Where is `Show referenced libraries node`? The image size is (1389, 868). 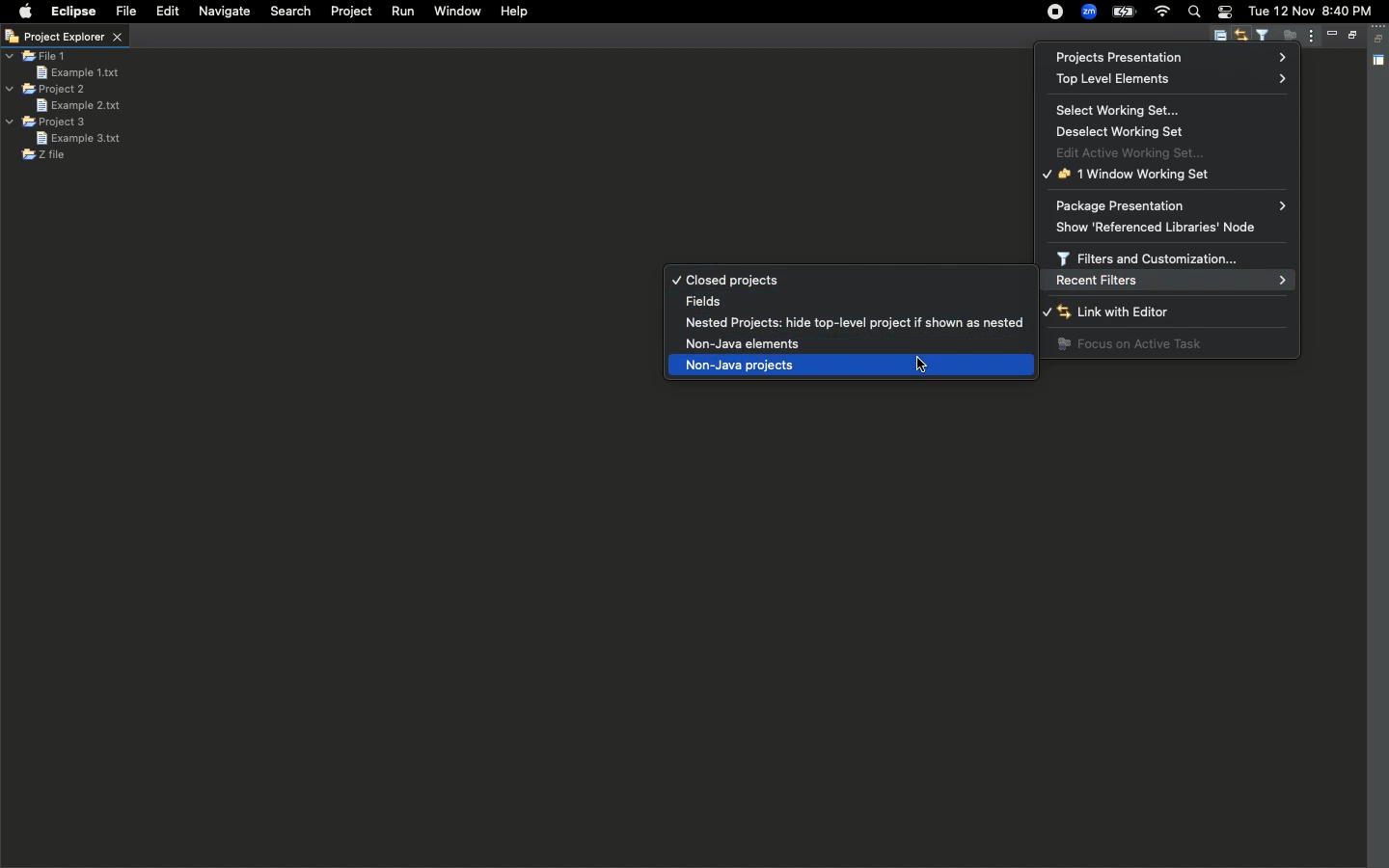 Show referenced libraries node is located at coordinates (1167, 227).